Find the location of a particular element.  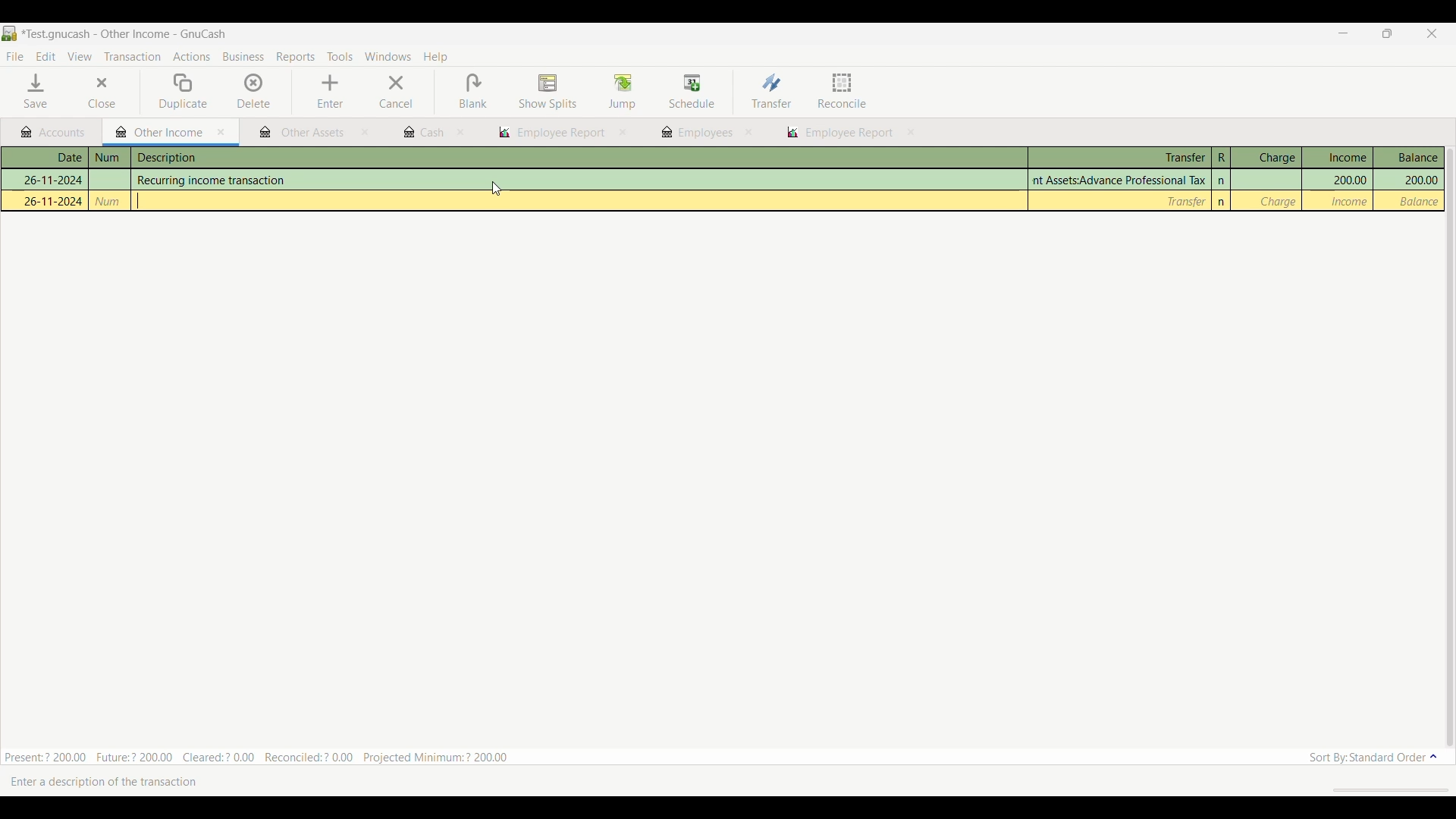

Close current tab is located at coordinates (221, 133).